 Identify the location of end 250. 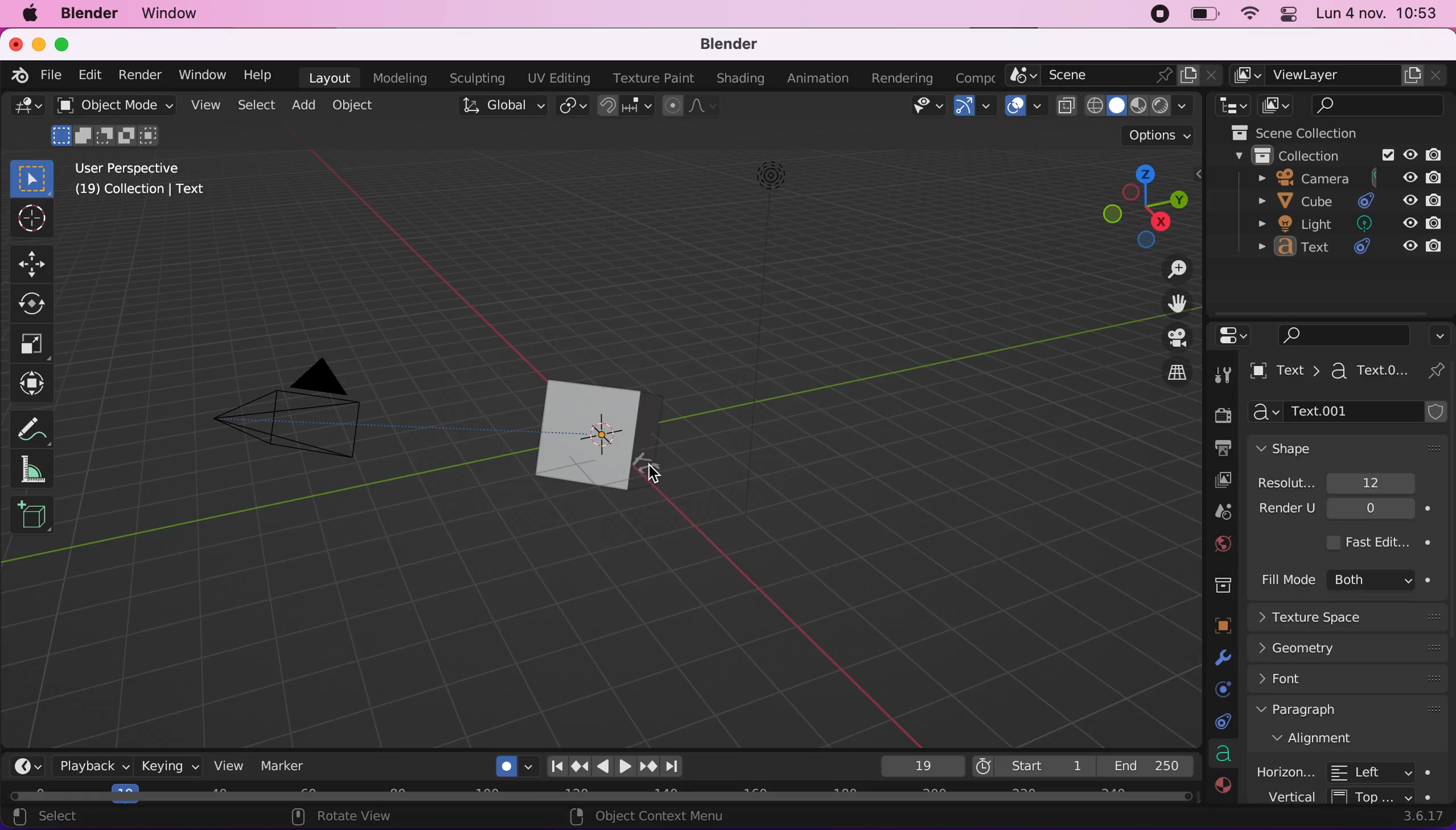
(1147, 765).